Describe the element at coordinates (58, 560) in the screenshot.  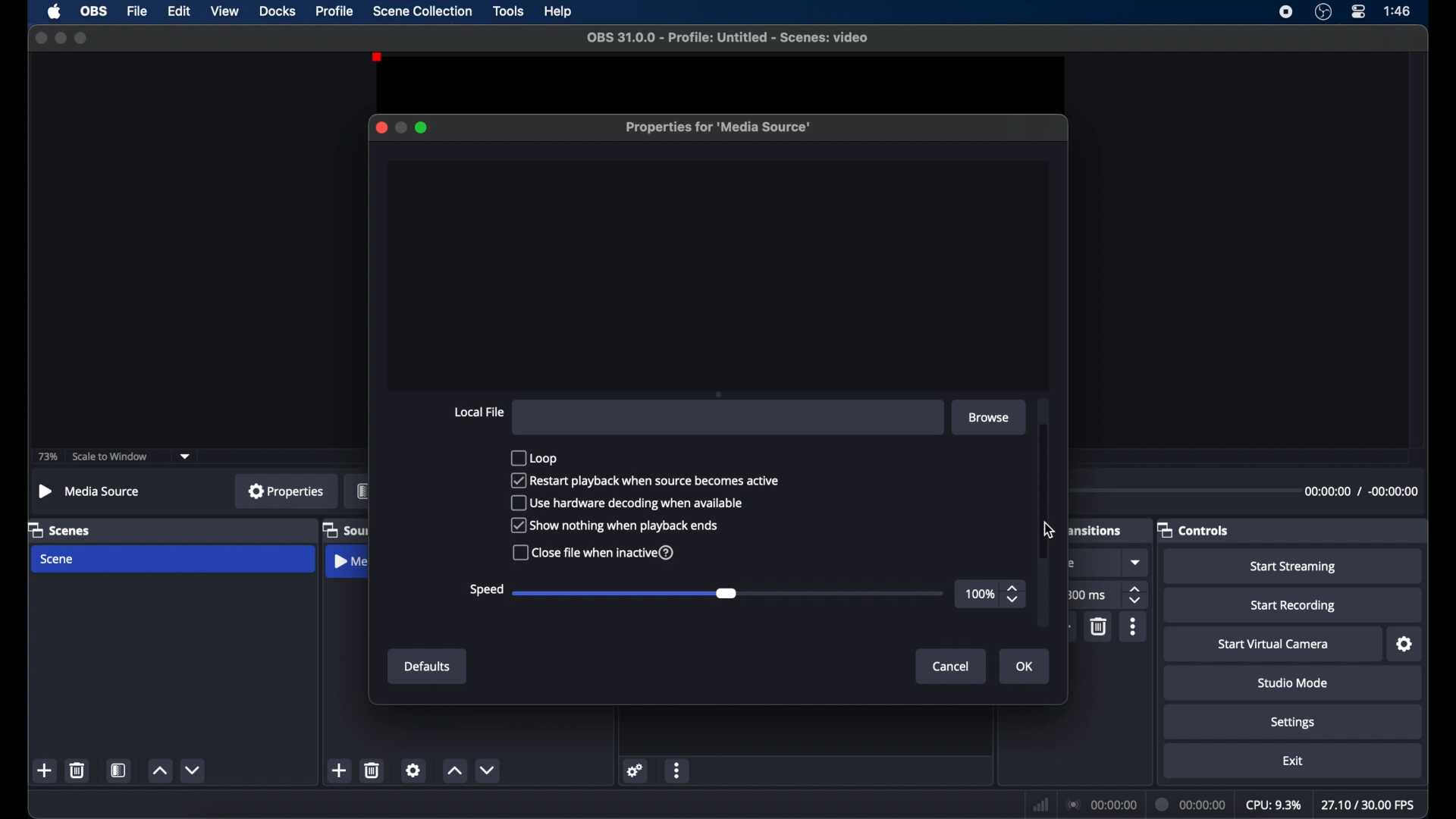
I see `scene` at that location.